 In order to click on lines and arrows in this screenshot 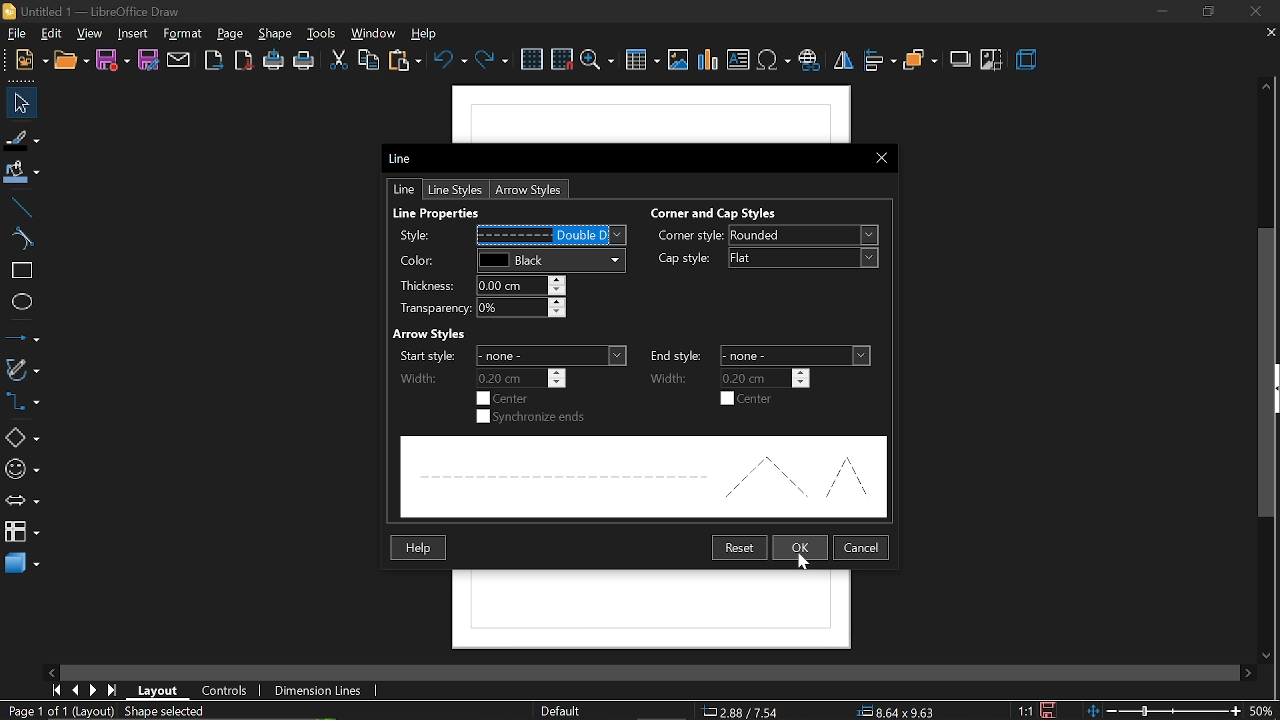, I will do `click(24, 336)`.